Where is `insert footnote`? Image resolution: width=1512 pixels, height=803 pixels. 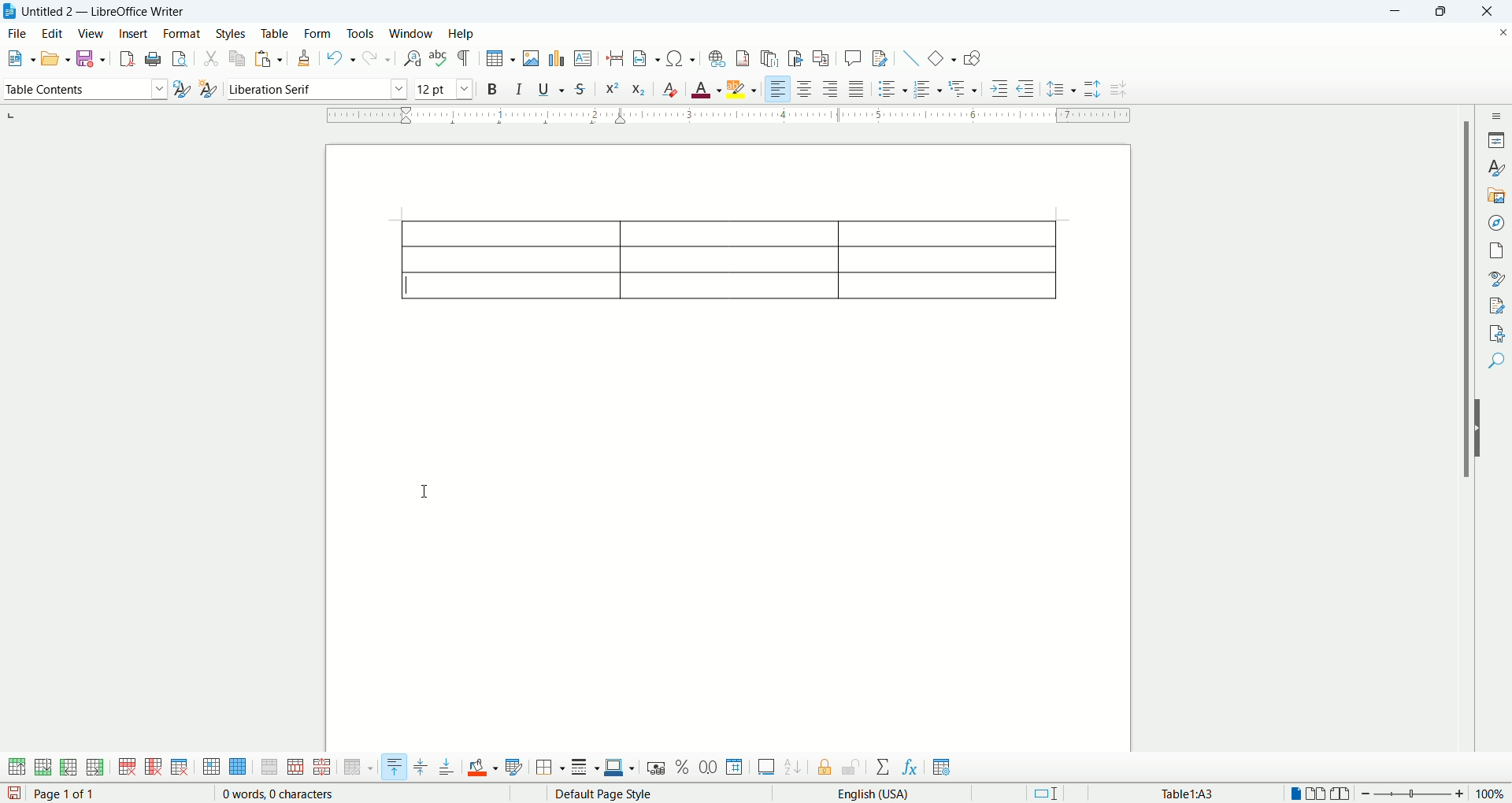
insert footnote is located at coordinates (743, 57).